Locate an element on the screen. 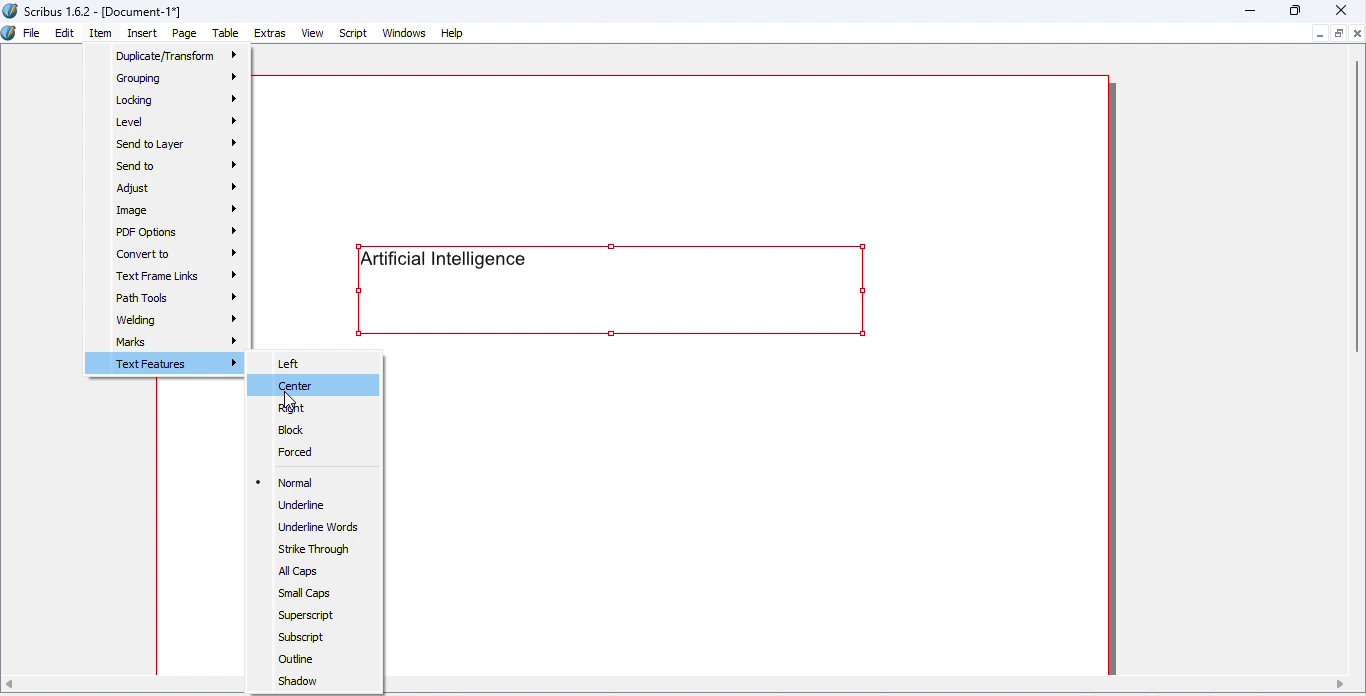  Extras is located at coordinates (272, 34).